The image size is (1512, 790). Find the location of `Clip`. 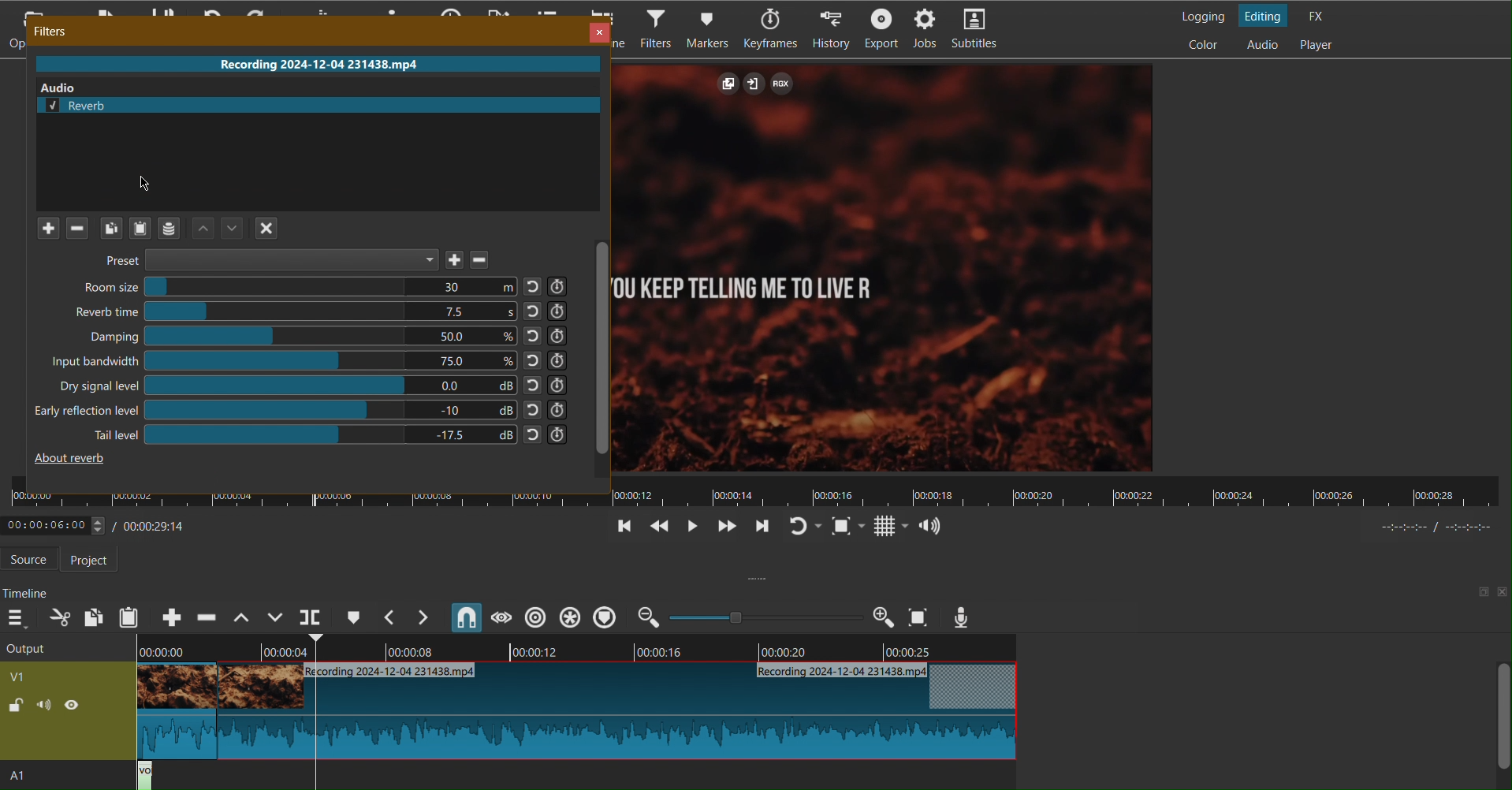

Clip is located at coordinates (571, 714).